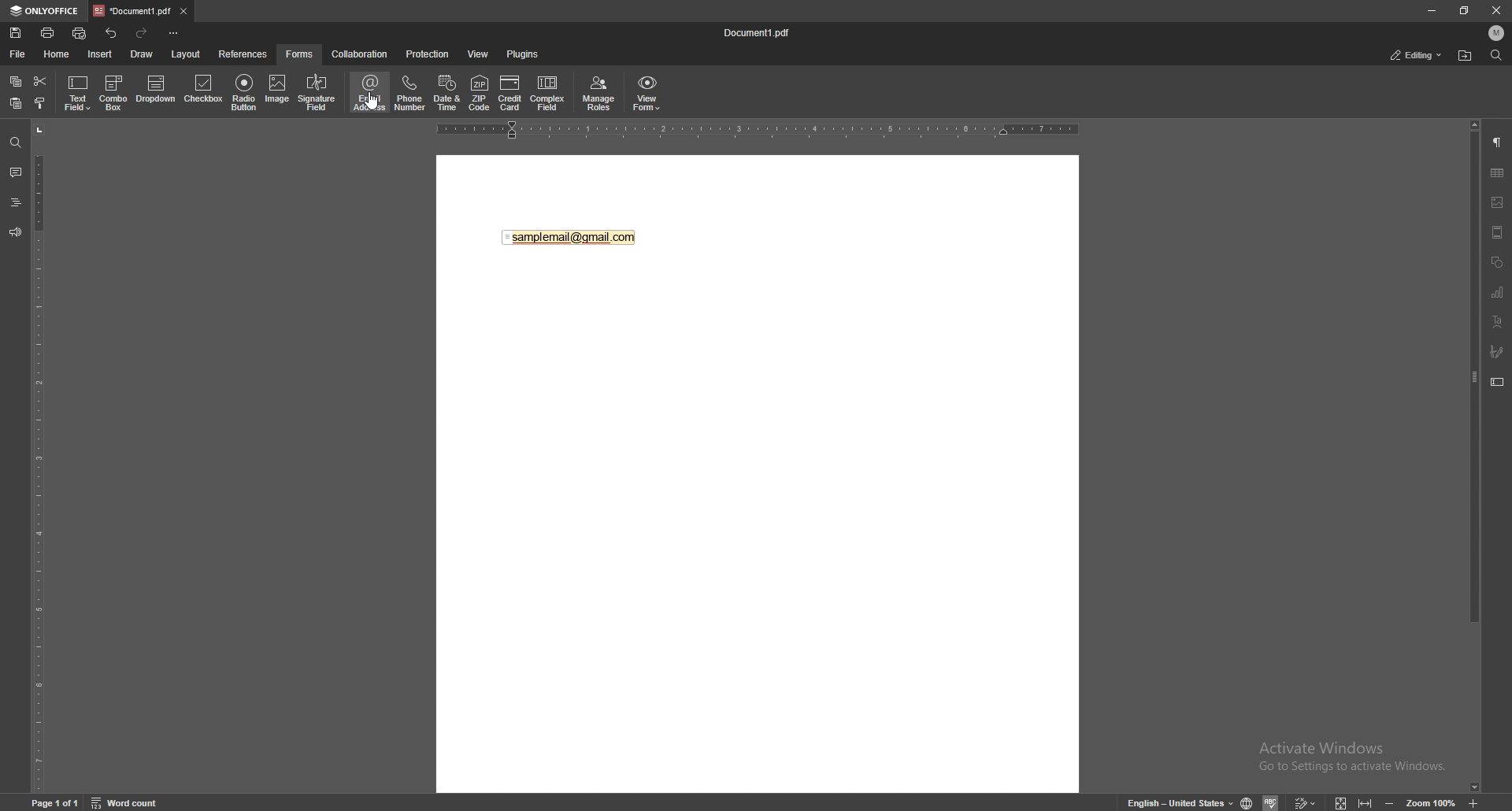  What do you see at coordinates (1432, 10) in the screenshot?
I see `minimize` at bounding box center [1432, 10].